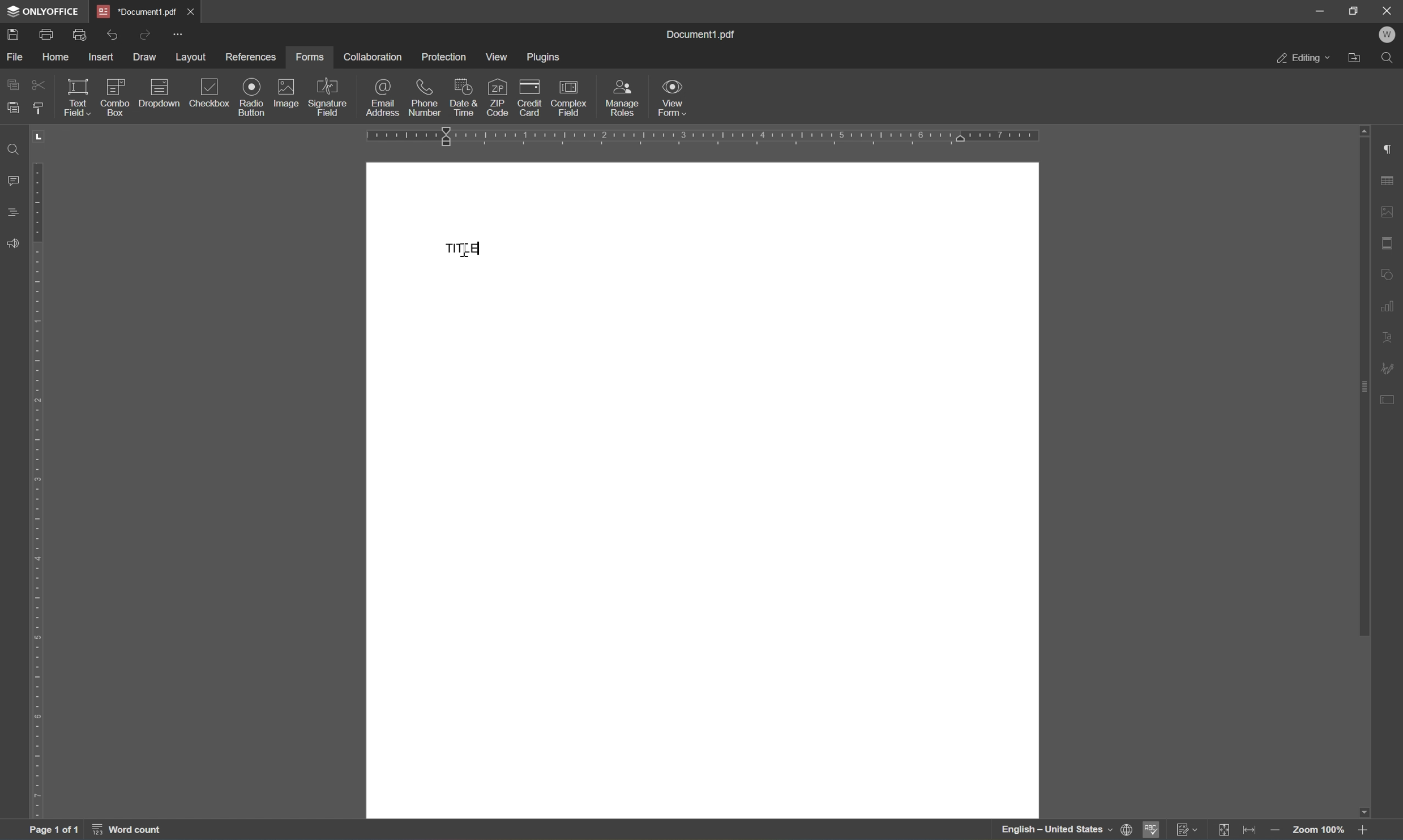 This screenshot has height=840, width=1403. What do you see at coordinates (15, 55) in the screenshot?
I see `file` at bounding box center [15, 55].